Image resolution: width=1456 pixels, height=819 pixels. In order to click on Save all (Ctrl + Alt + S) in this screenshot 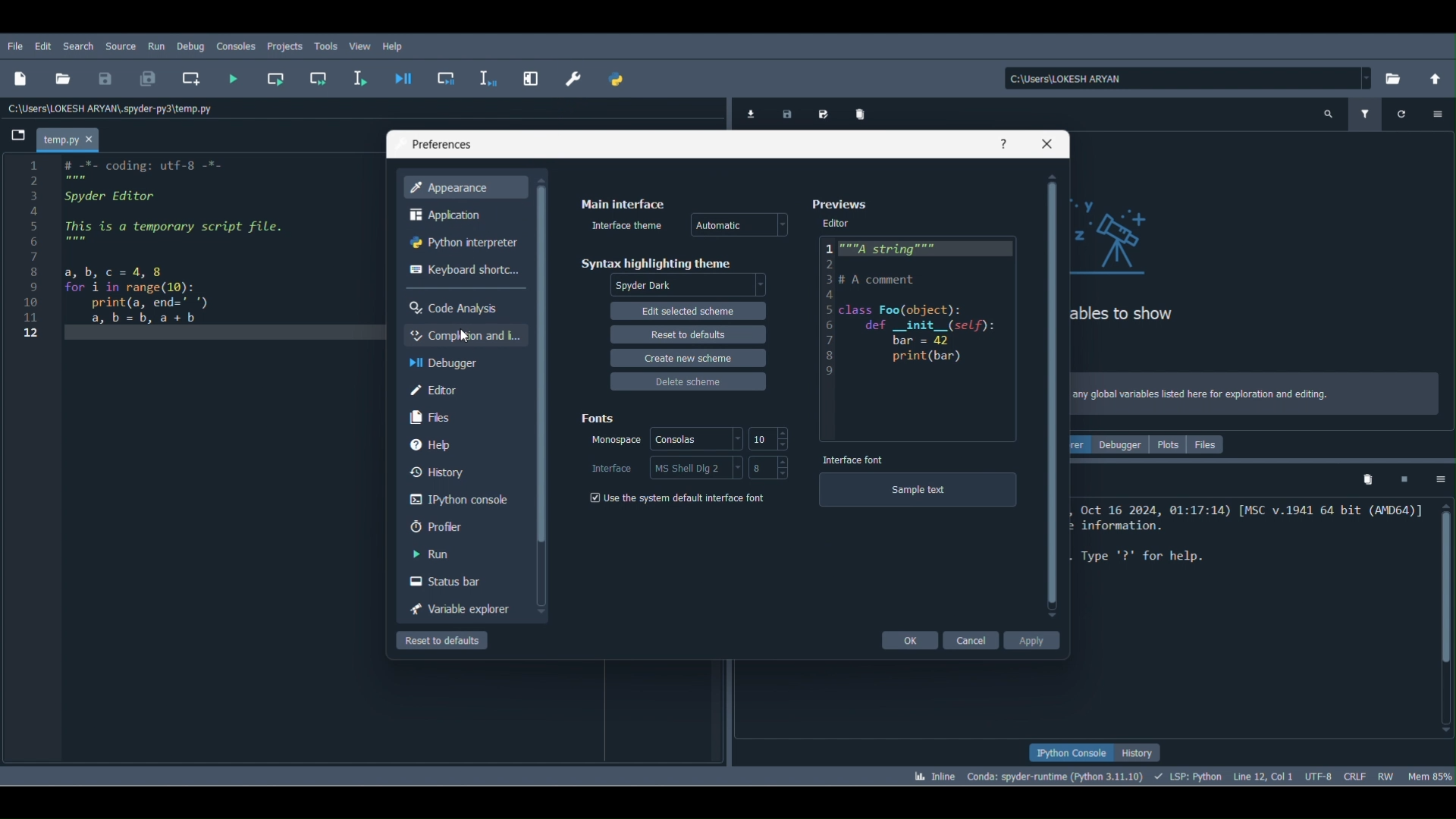, I will do `click(154, 80)`.